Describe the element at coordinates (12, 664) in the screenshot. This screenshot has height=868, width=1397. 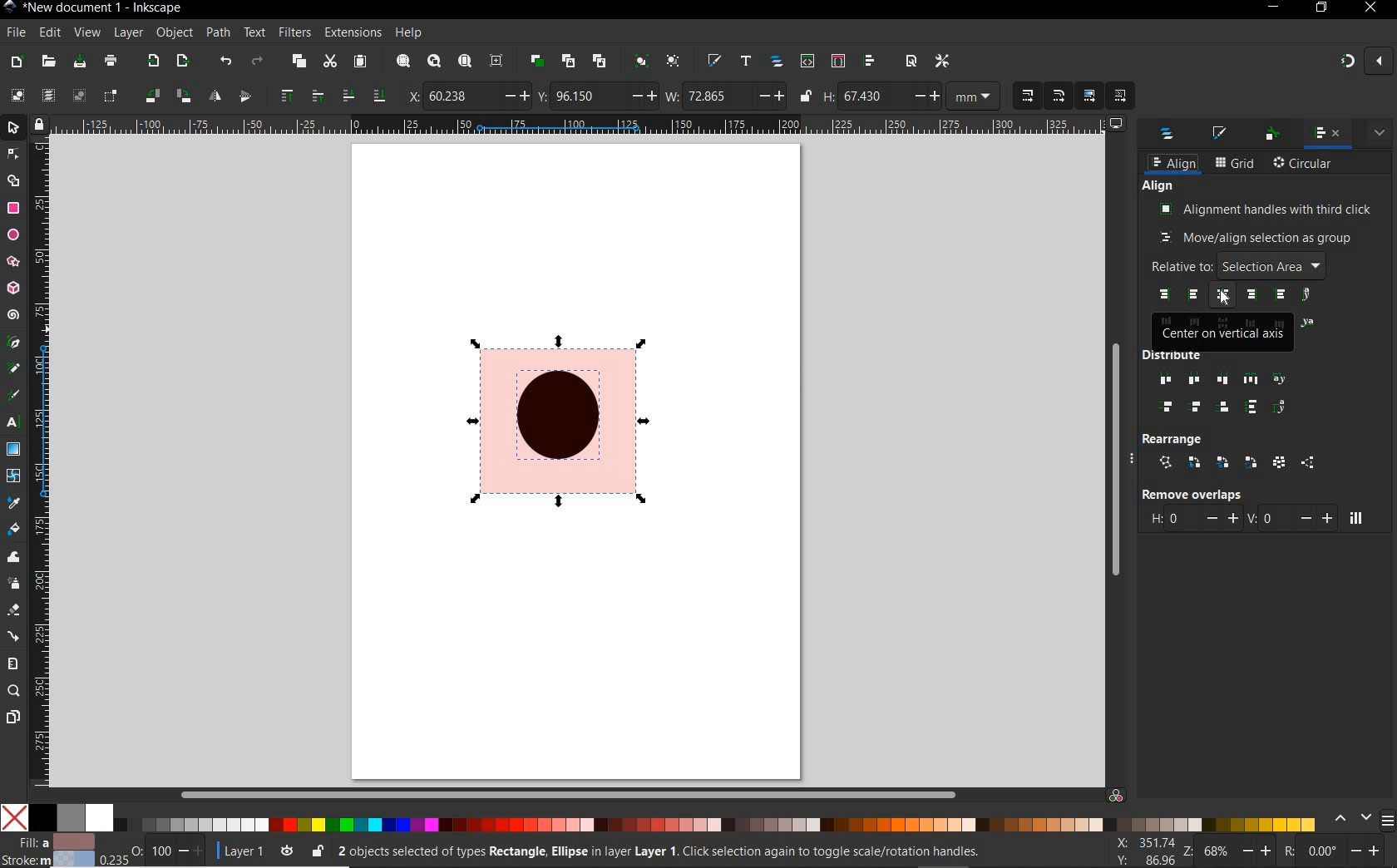
I see `measure tool` at that location.